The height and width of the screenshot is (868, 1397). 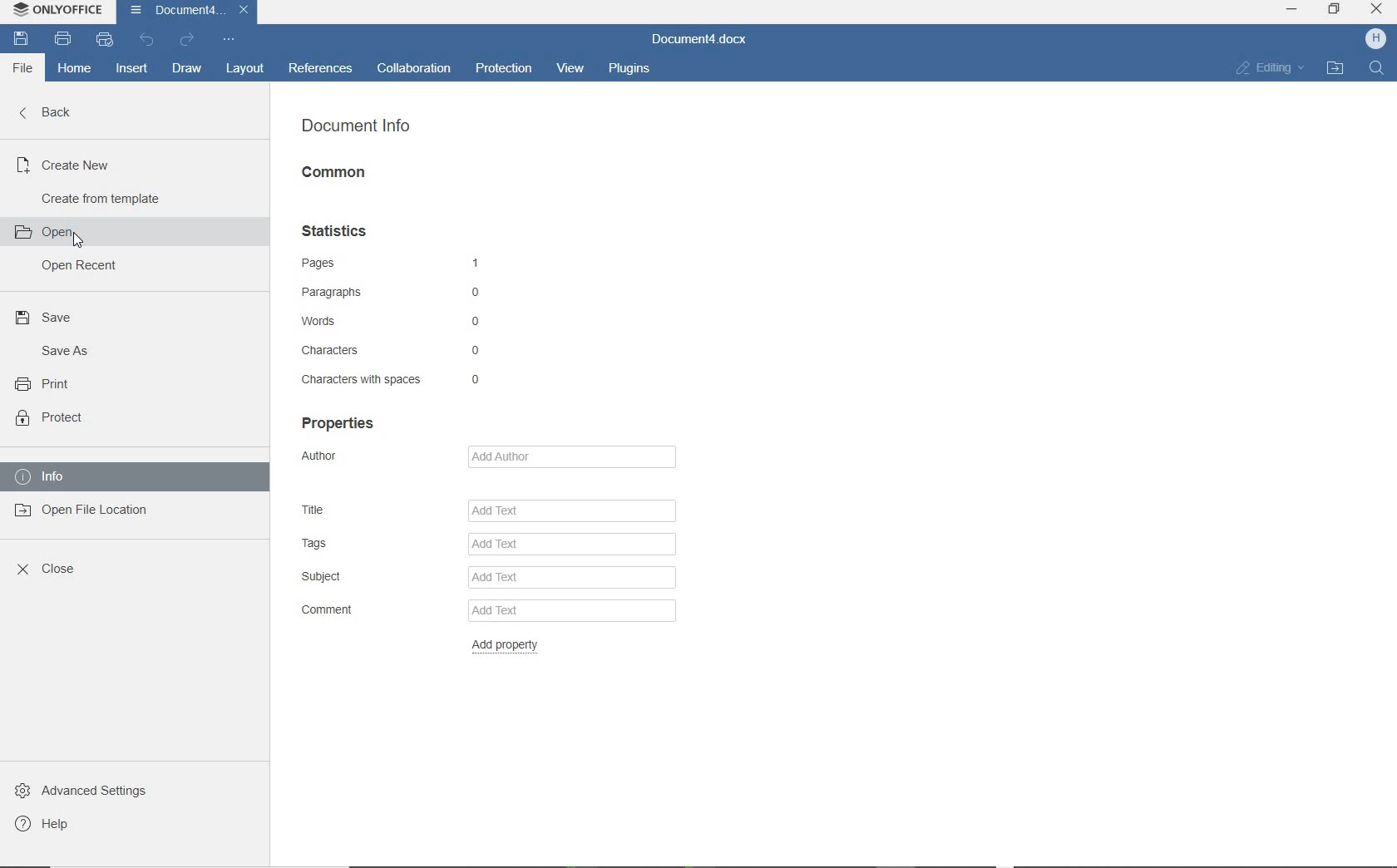 I want to click on undo, so click(x=149, y=42).